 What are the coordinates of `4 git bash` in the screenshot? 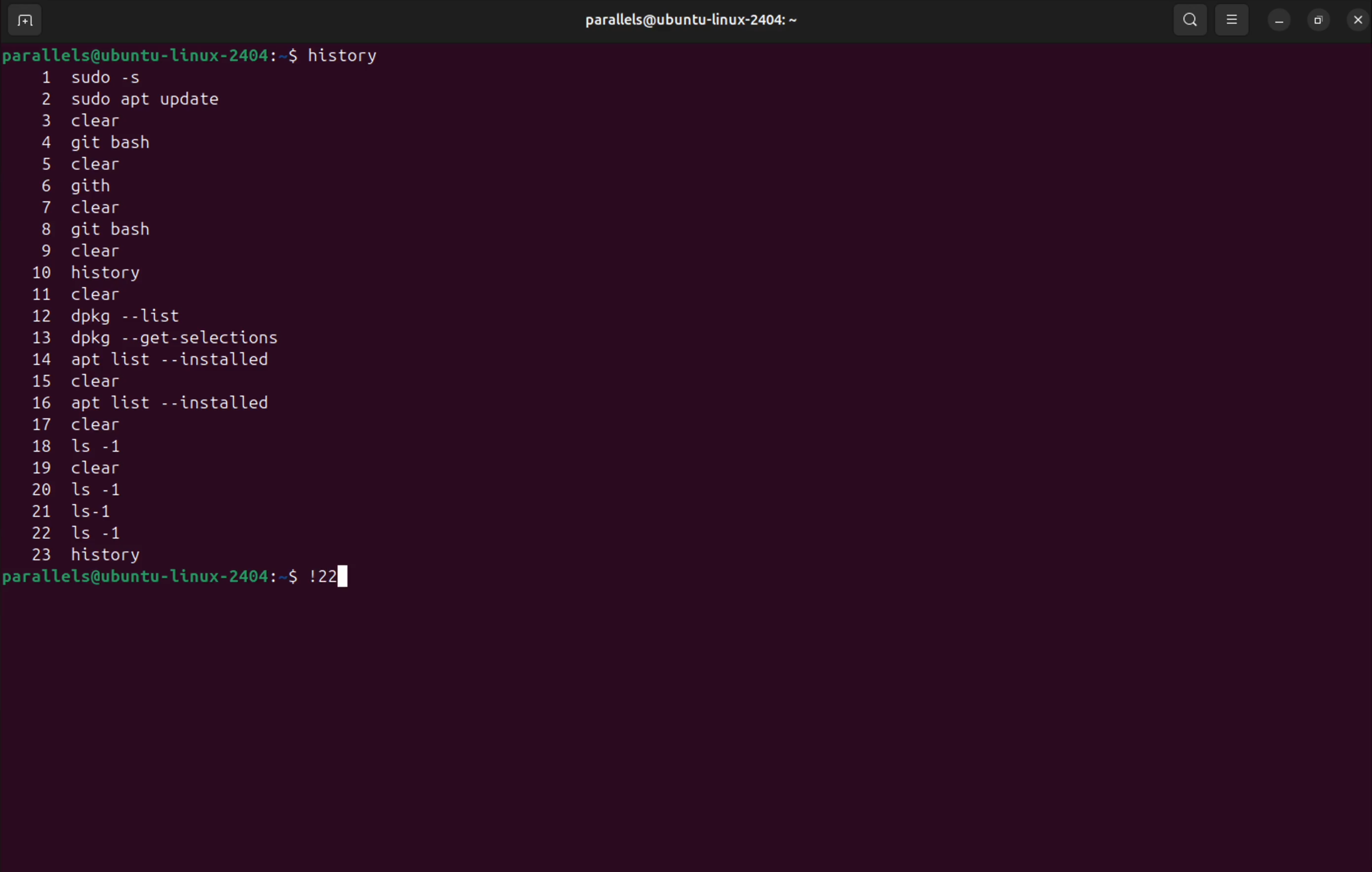 It's located at (108, 144).